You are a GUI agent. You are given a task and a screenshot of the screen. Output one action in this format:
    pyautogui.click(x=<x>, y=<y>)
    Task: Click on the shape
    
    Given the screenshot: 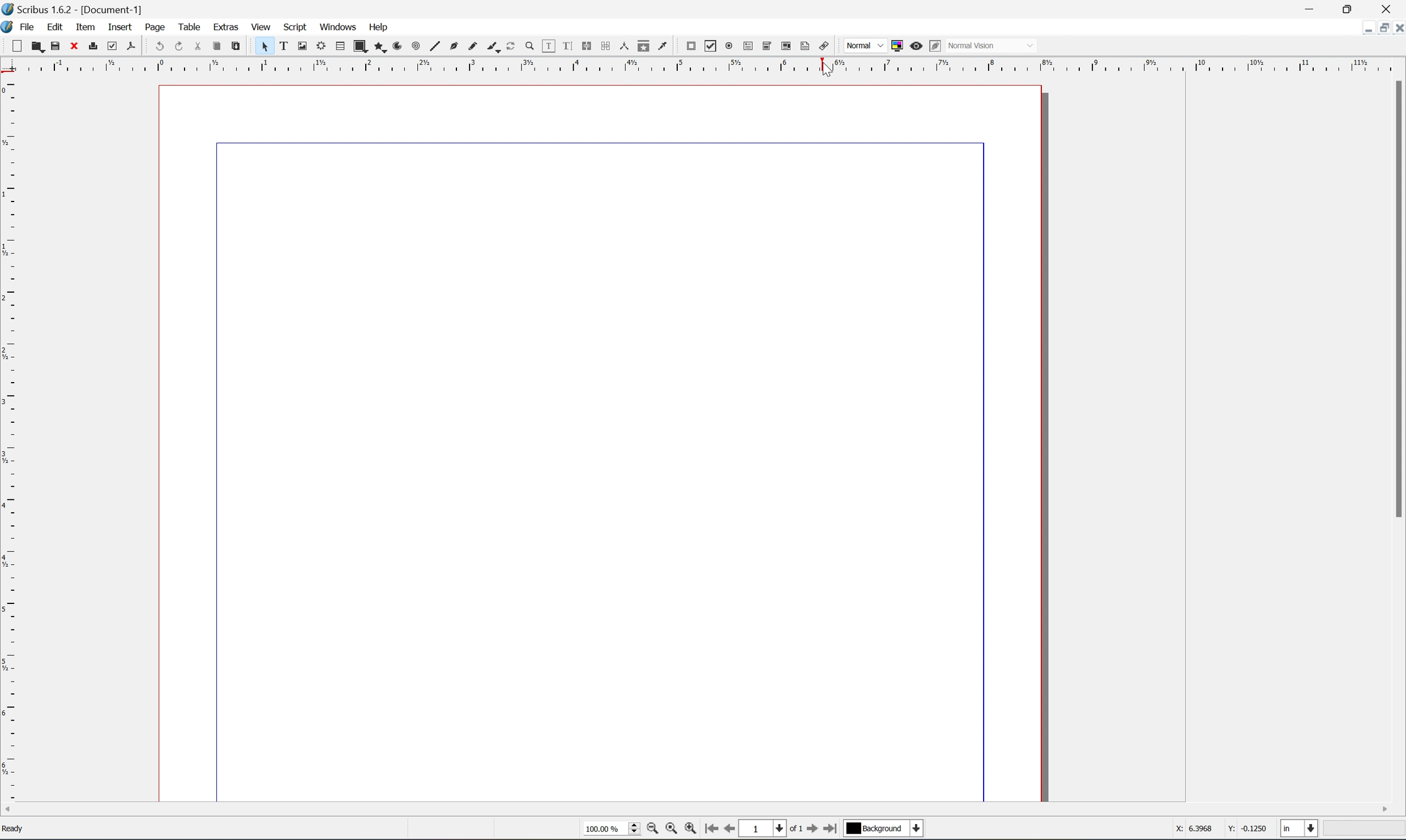 What is the action you would take?
    pyautogui.click(x=359, y=46)
    